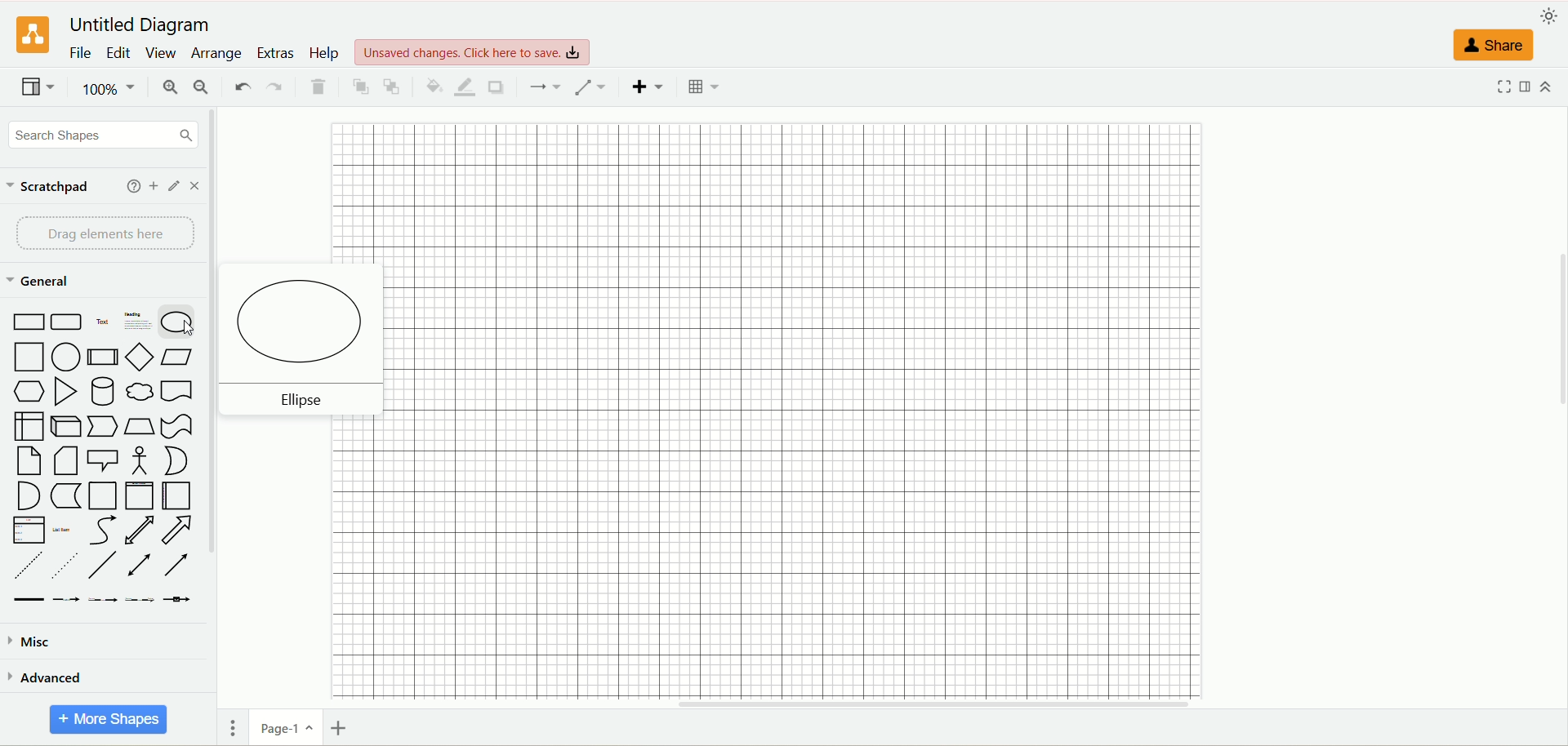 Image resolution: width=1568 pixels, height=746 pixels. I want to click on redo, so click(277, 85).